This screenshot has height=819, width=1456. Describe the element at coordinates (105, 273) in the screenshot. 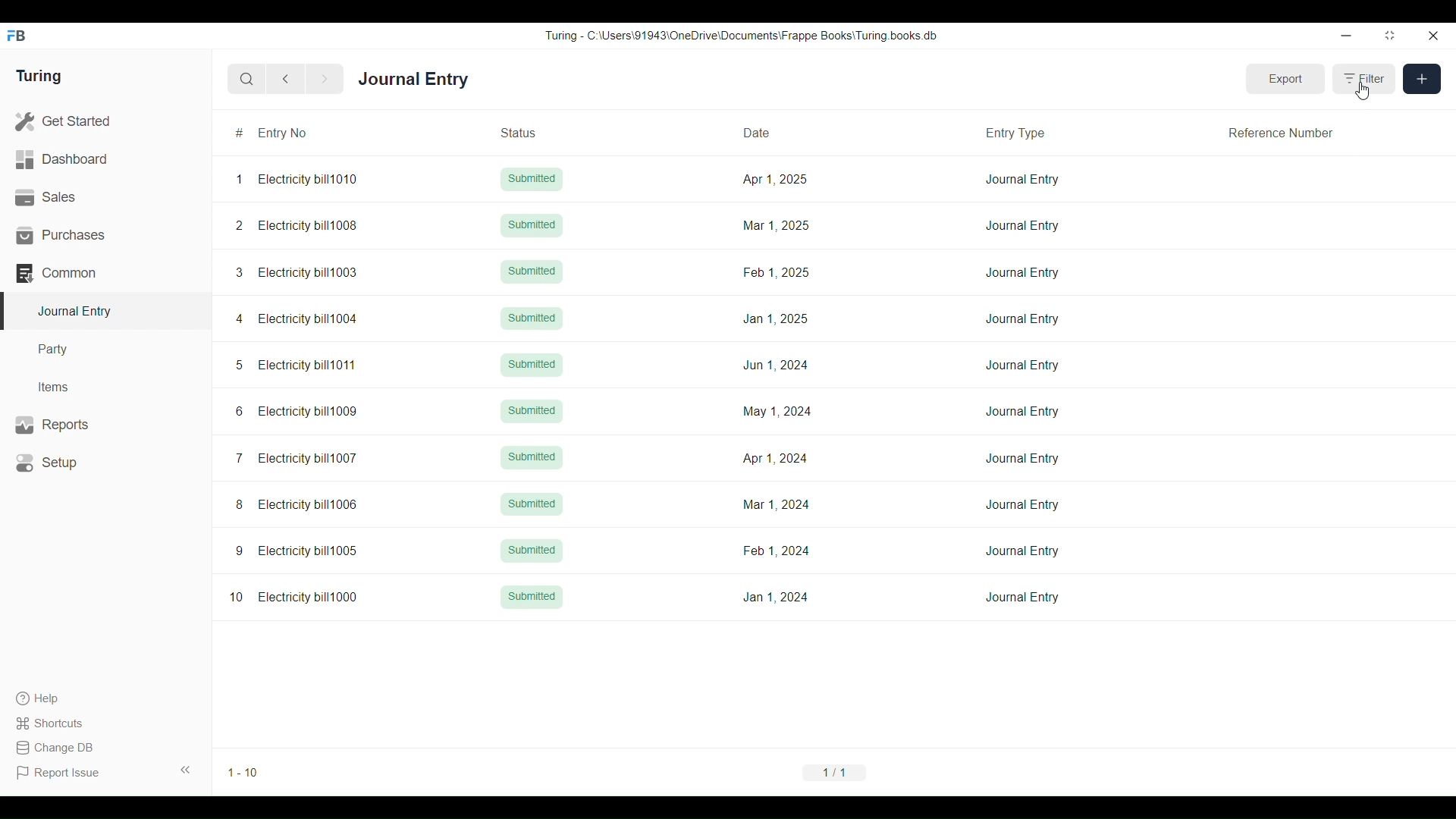

I see `Common` at that location.